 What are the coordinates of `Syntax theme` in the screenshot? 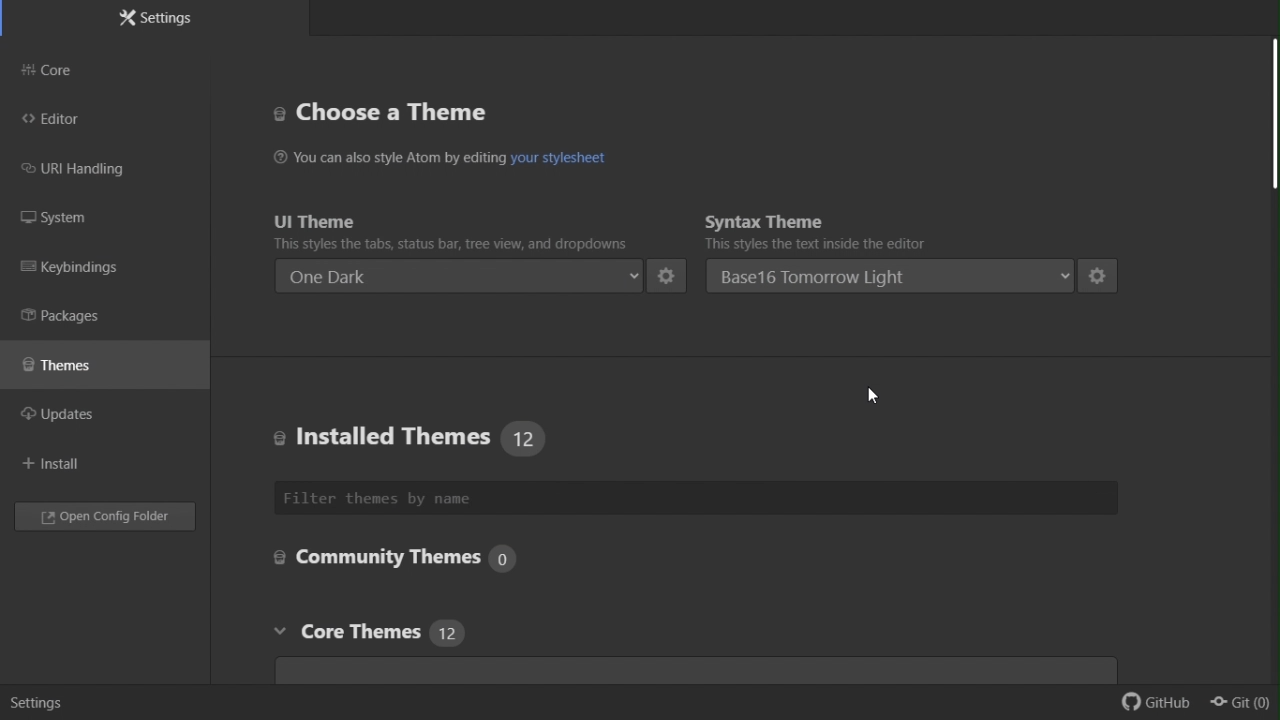 It's located at (845, 229).